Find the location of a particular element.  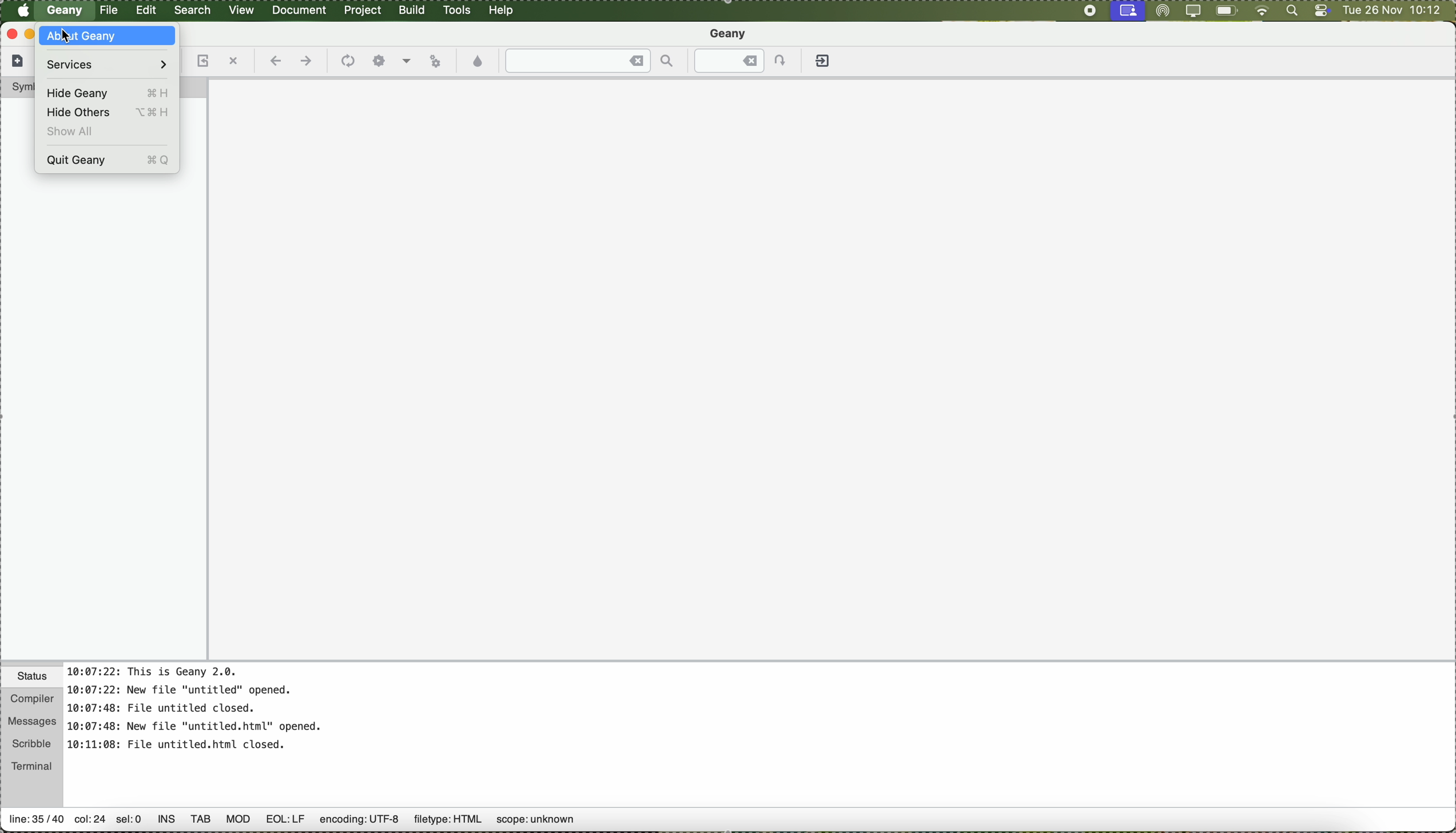

edit is located at coordinates (148, 11).